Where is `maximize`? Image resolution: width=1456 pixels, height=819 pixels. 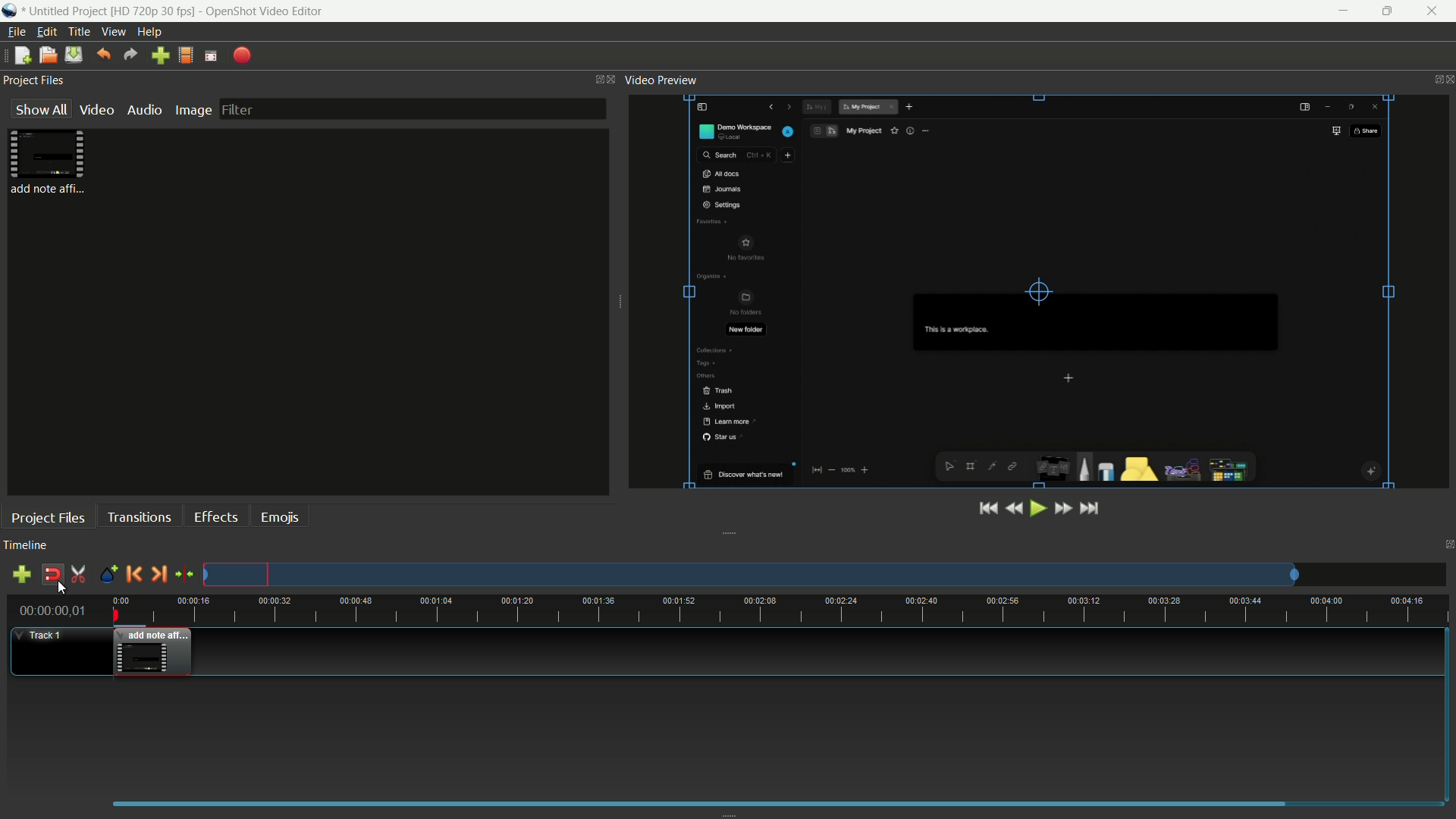
maximize is located at coordinates (1391, 11).